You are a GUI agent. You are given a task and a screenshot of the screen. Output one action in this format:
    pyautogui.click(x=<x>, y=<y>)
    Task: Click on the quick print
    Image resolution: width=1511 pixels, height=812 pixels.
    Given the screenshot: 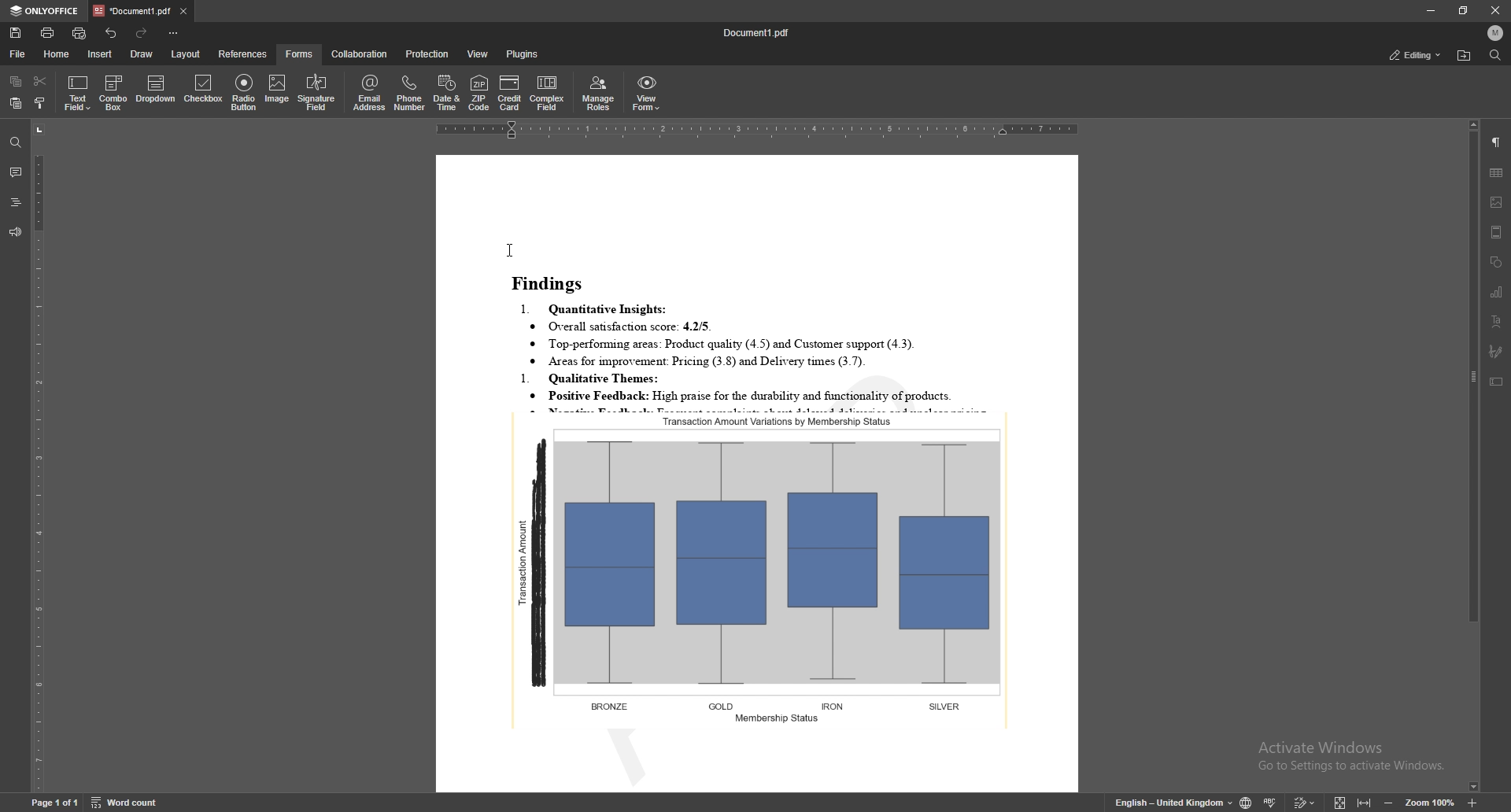 What is the action you would take?
    pyautogui.click(x=79, y=34)
    